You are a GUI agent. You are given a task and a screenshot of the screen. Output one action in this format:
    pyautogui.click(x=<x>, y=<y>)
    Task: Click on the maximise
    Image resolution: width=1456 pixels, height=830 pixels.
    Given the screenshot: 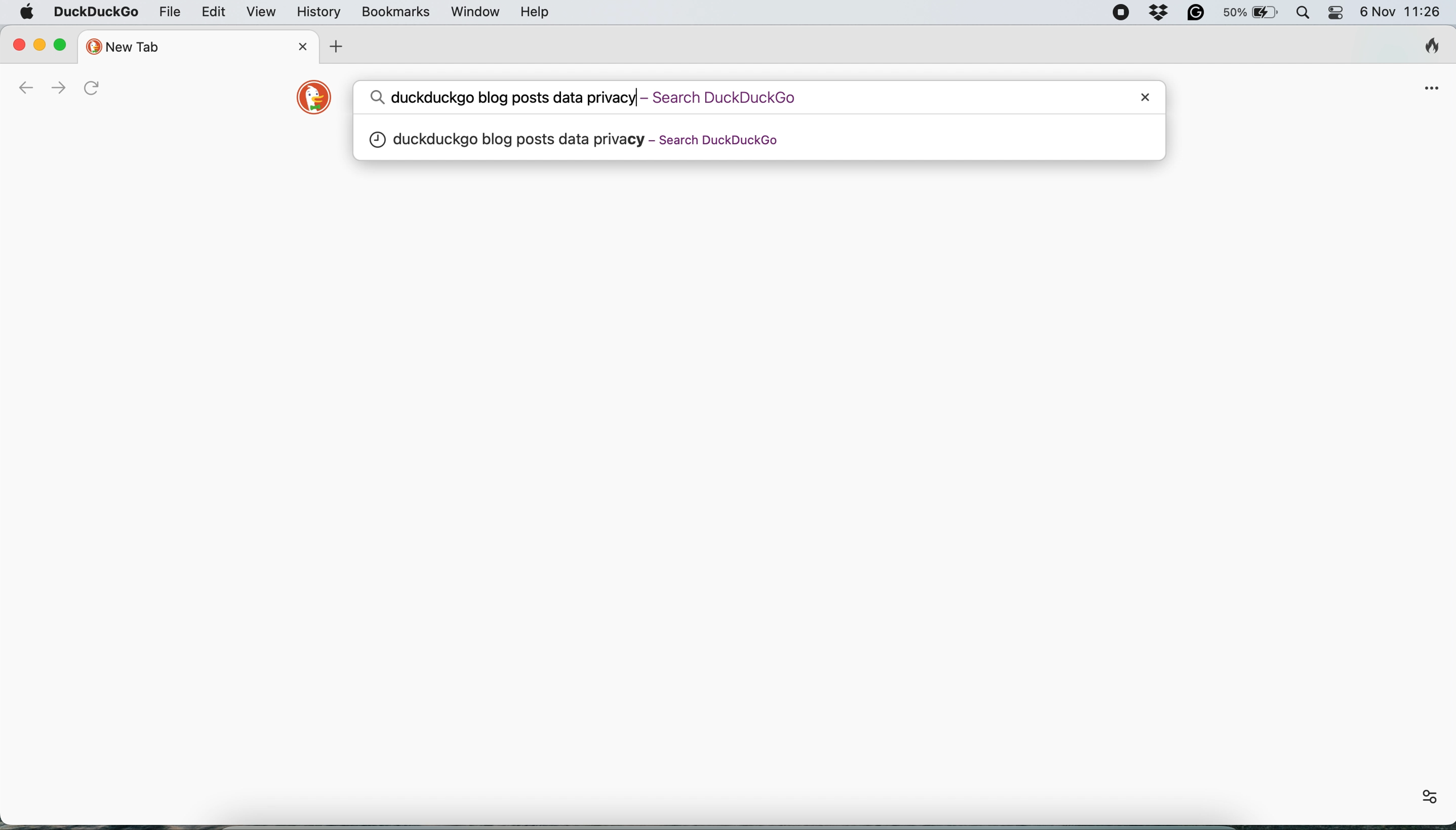 What is the action you would take?
    pyautogui.click(x=61, y=44)
    